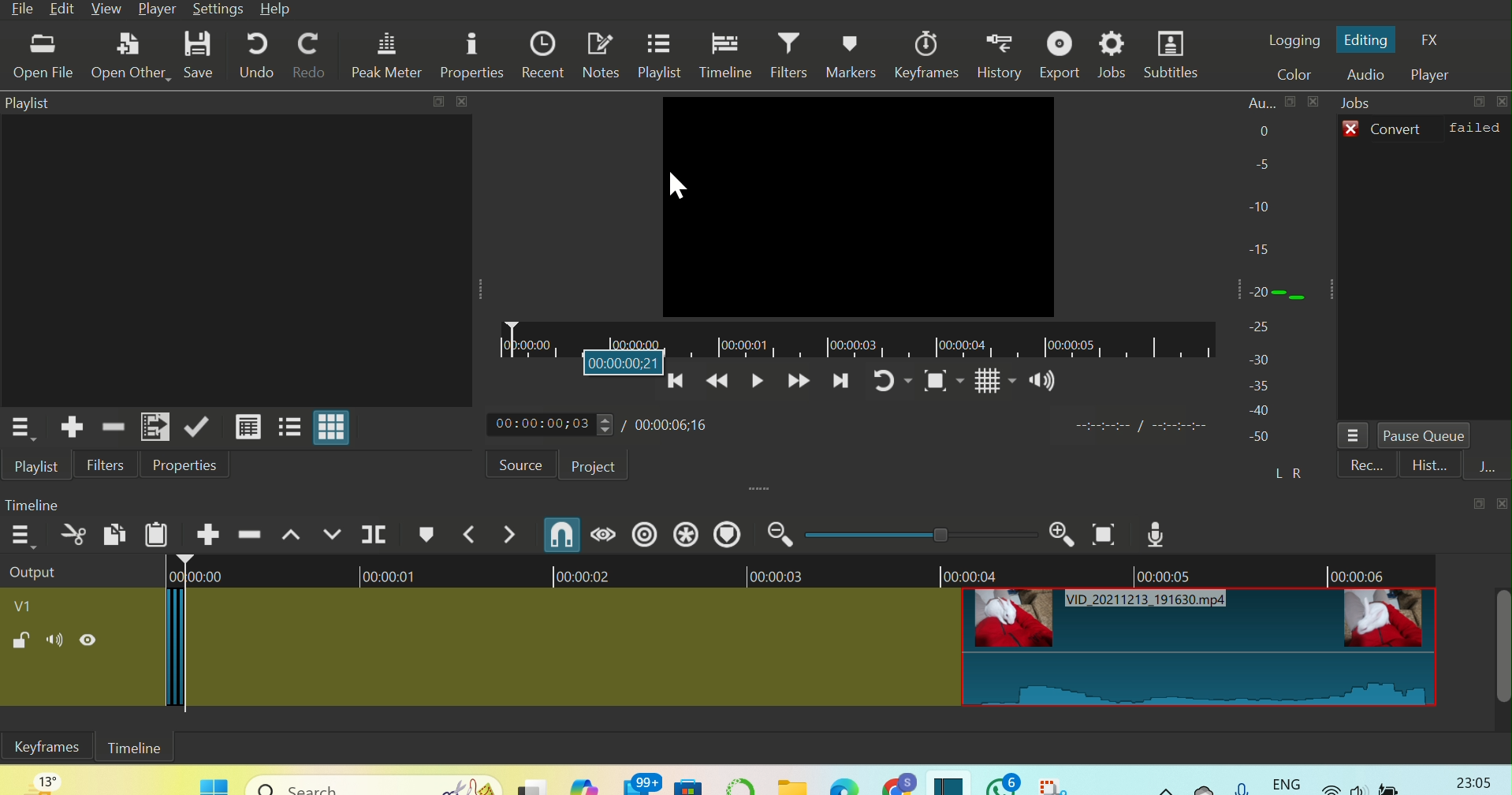  I want to click on Save, so click(198, 53).